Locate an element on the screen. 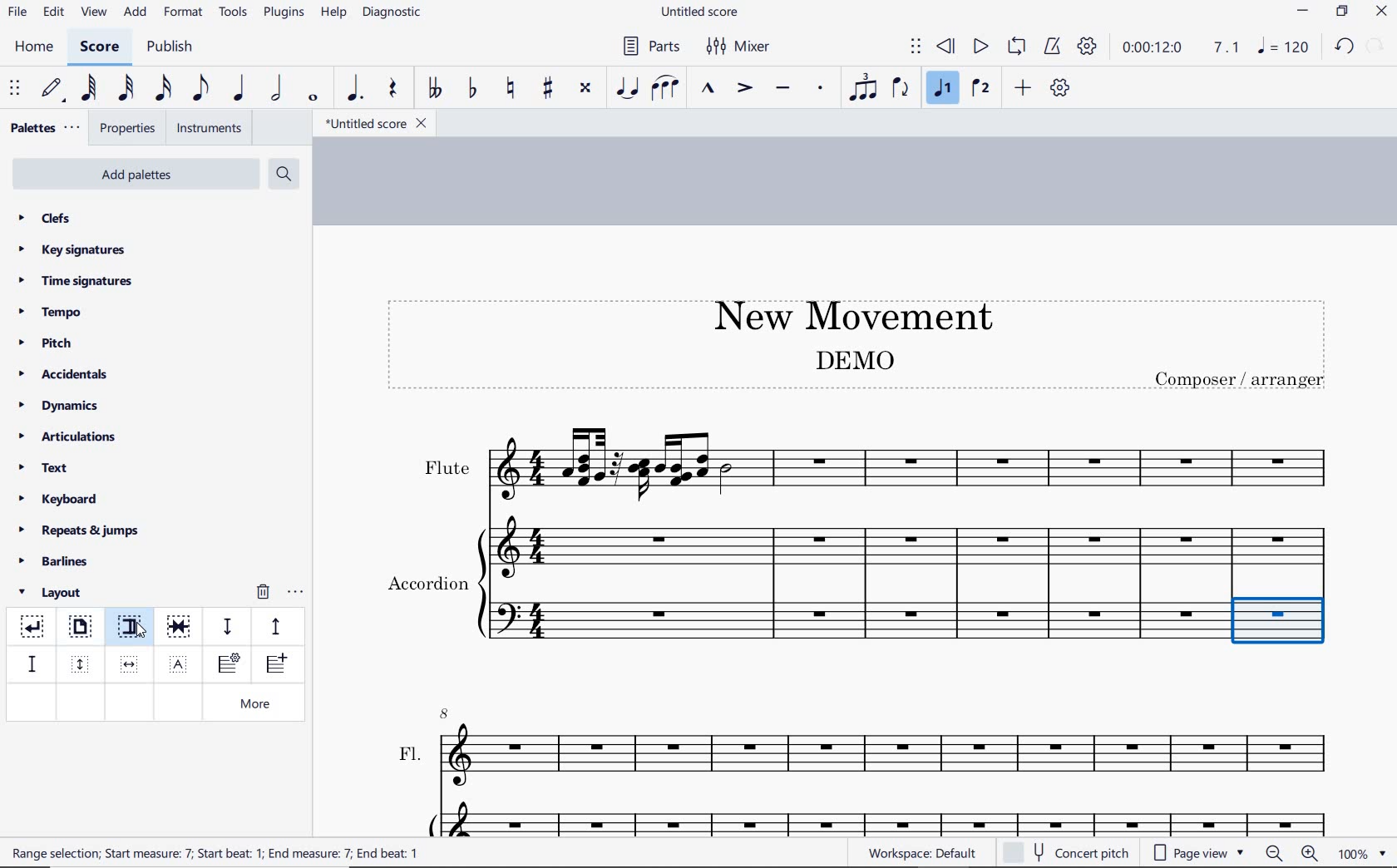 The height and width of the screenshot is (868, 1397). text is located at coordinates (446, 468).